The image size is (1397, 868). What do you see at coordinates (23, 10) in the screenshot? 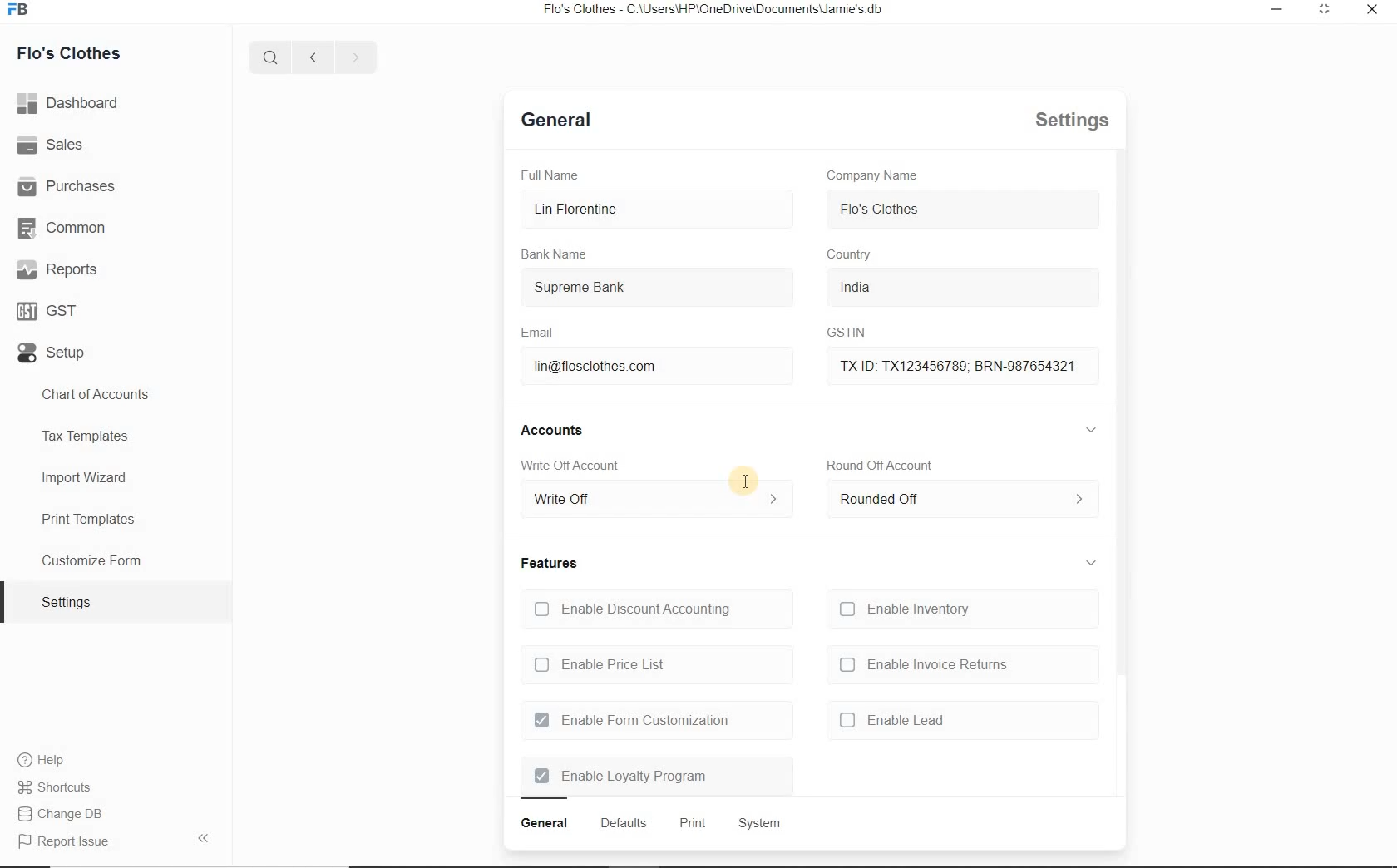
I see `FB logo` at bounding box center [23, 10].